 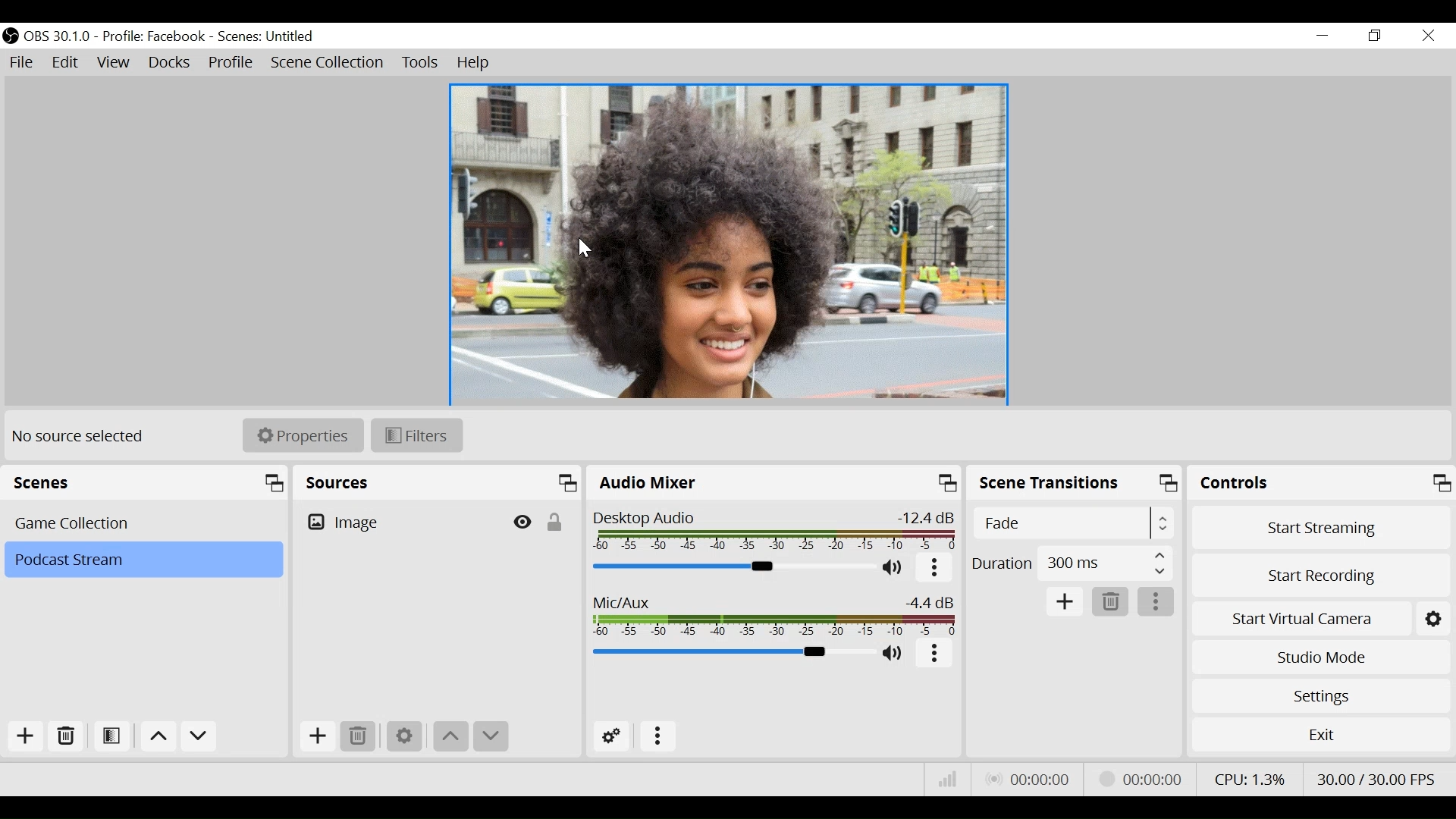 I want to click on Mic/Aux, so click(x=732, y=652).